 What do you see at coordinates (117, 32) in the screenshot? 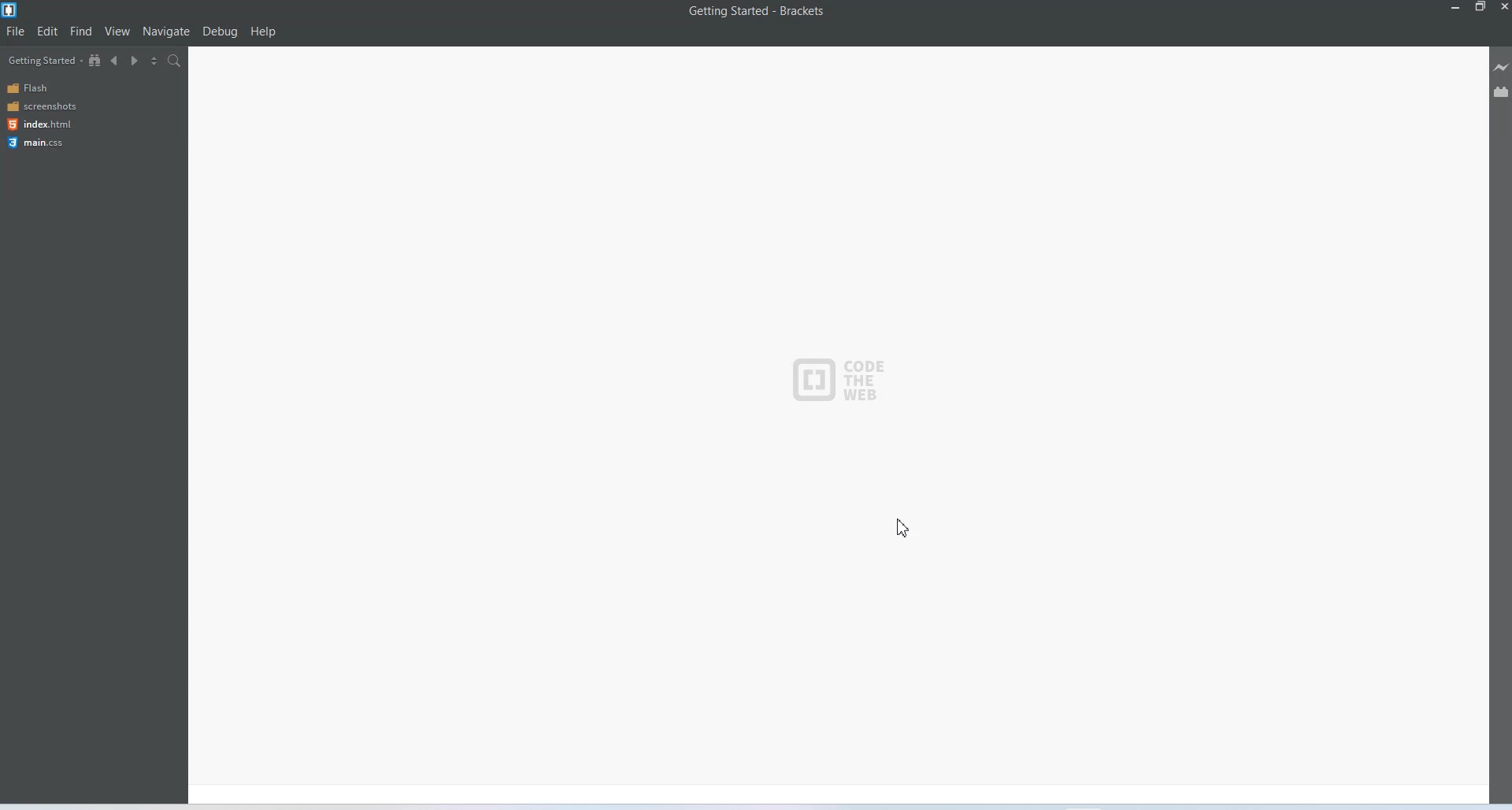
I see `View` at bounding box center [117, 32].